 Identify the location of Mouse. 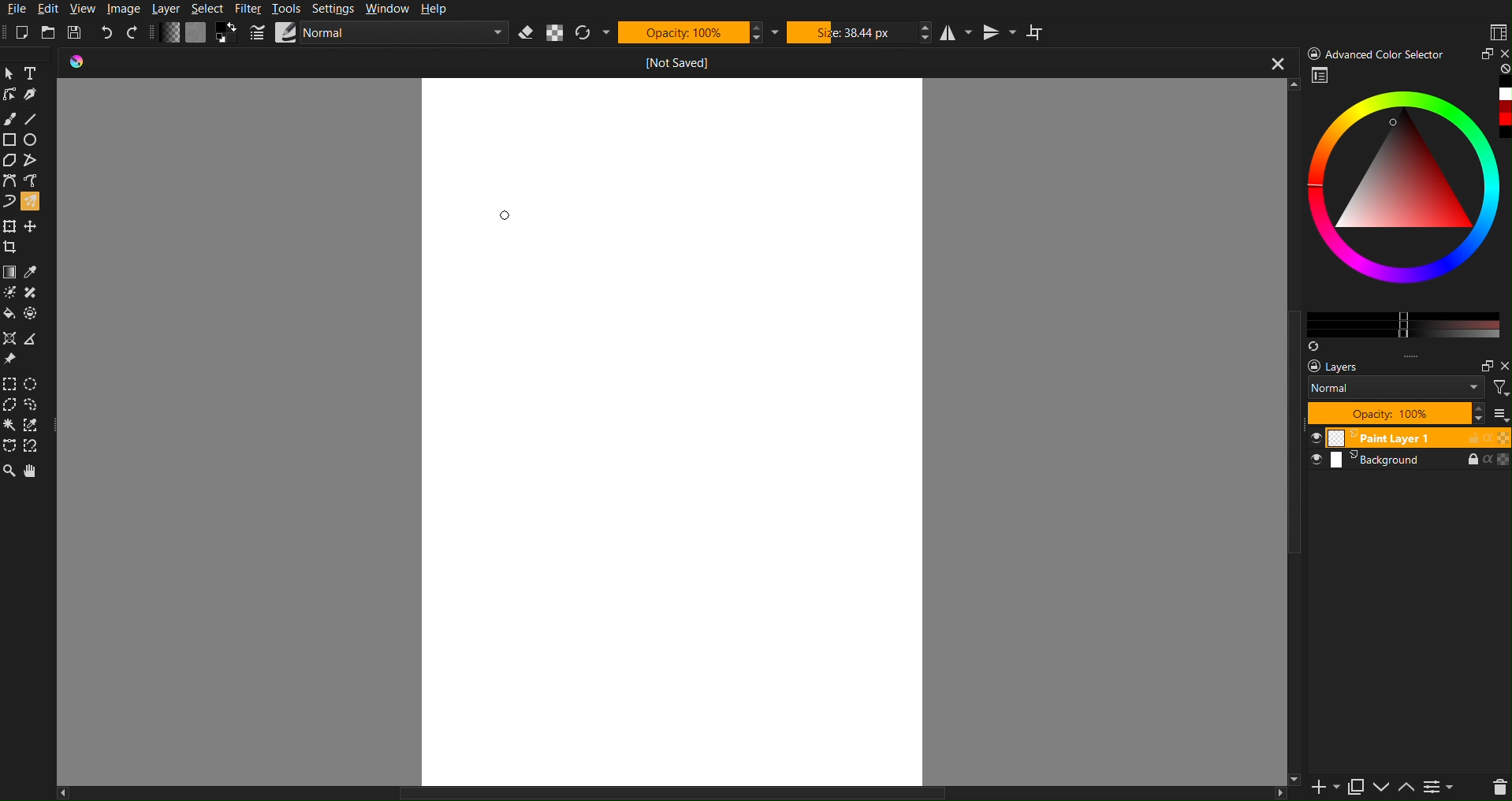
(35, 201).